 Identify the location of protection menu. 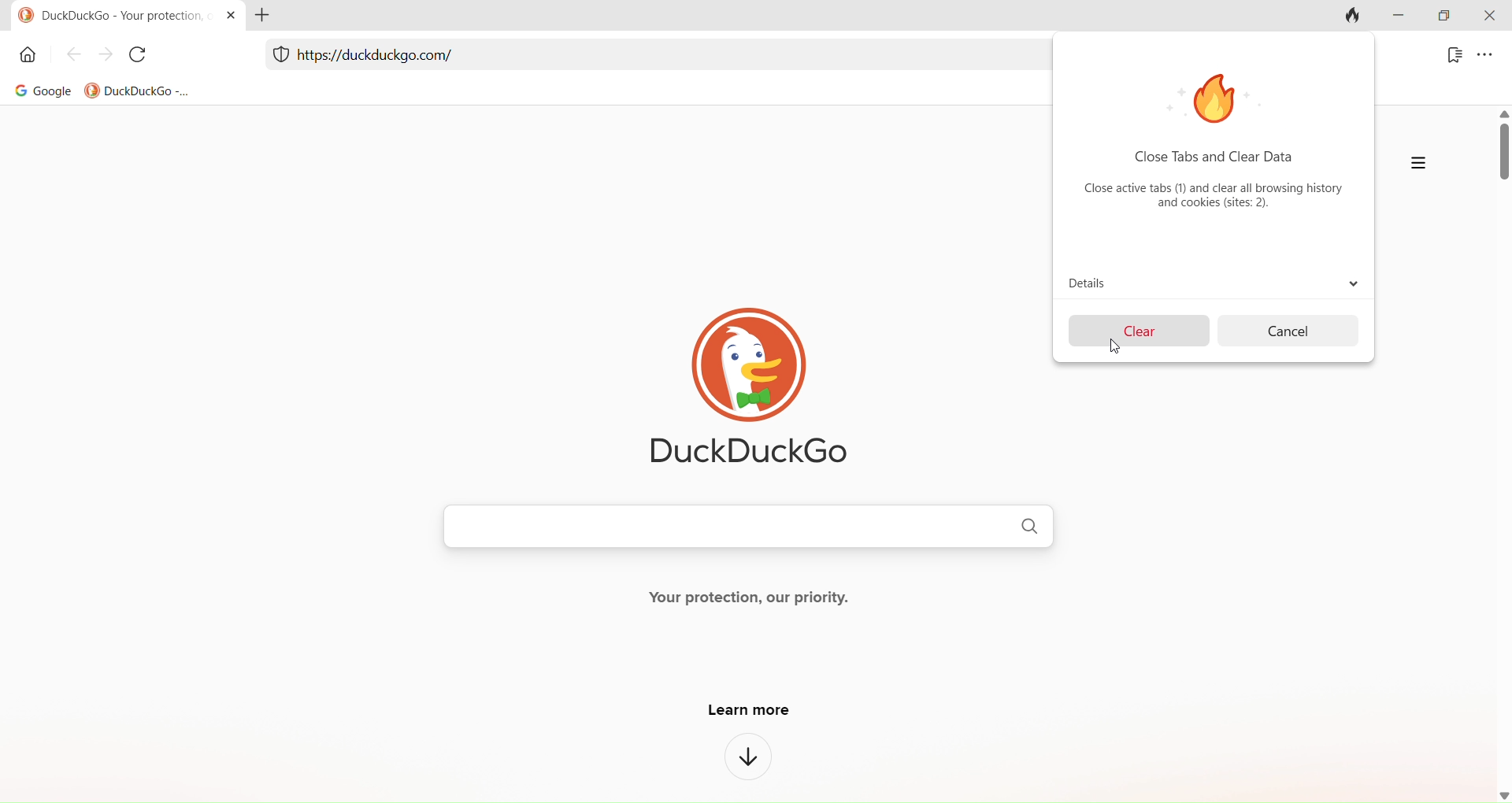
(276, 57).